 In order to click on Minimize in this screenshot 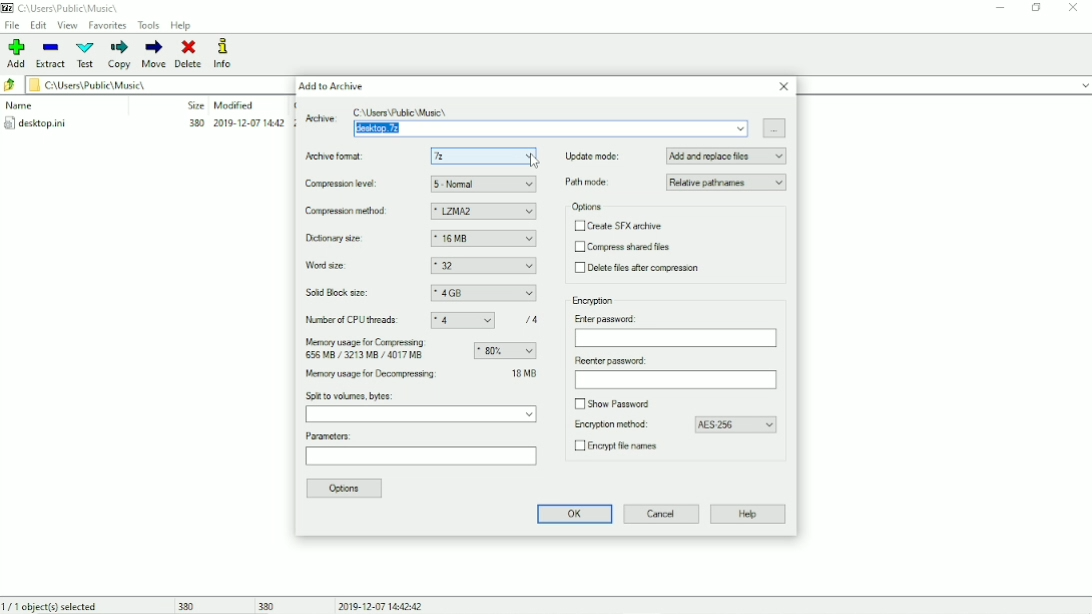, I will do `click(1001, 8)`.